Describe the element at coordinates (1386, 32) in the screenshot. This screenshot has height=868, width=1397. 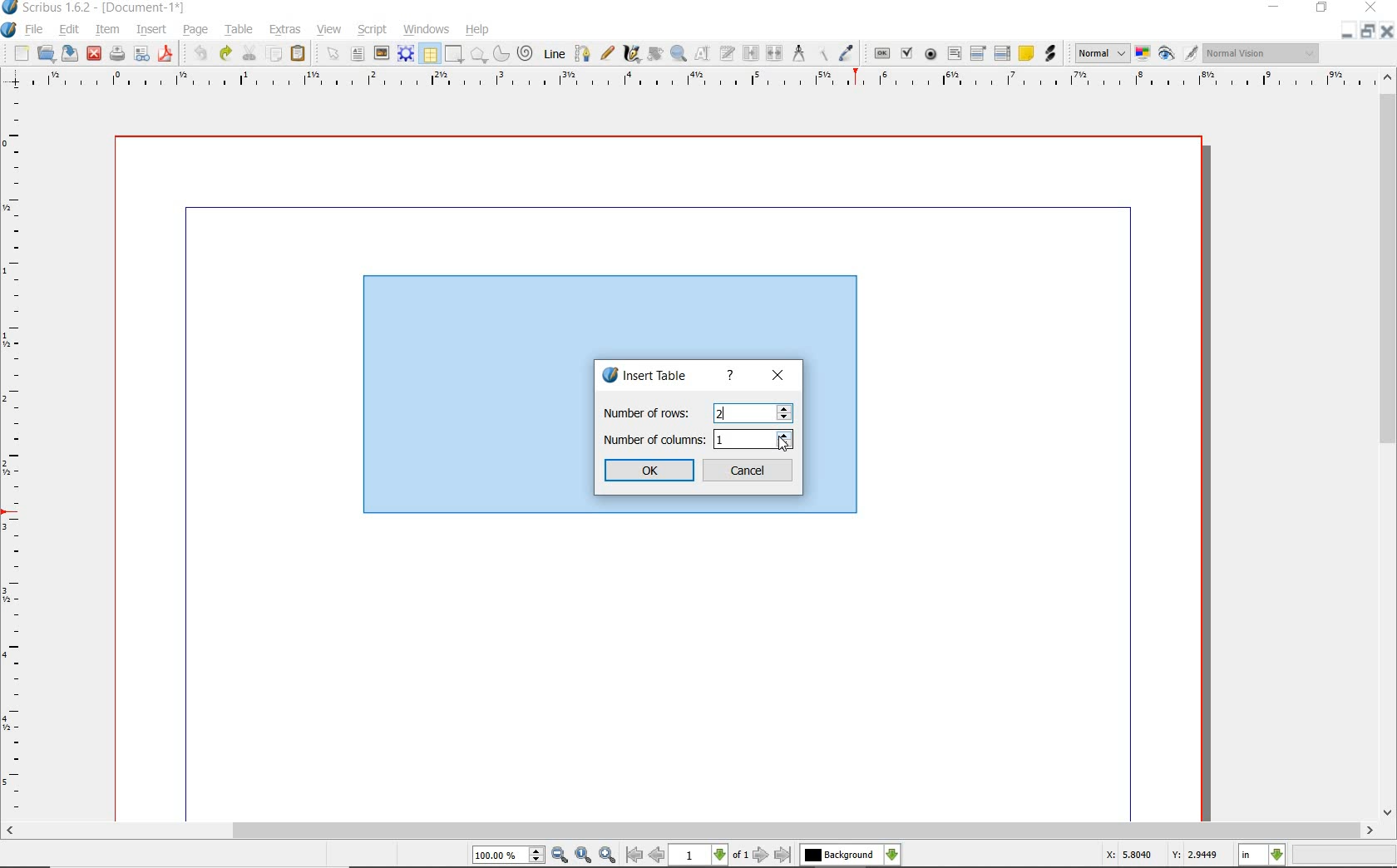
I see `close` at that location.